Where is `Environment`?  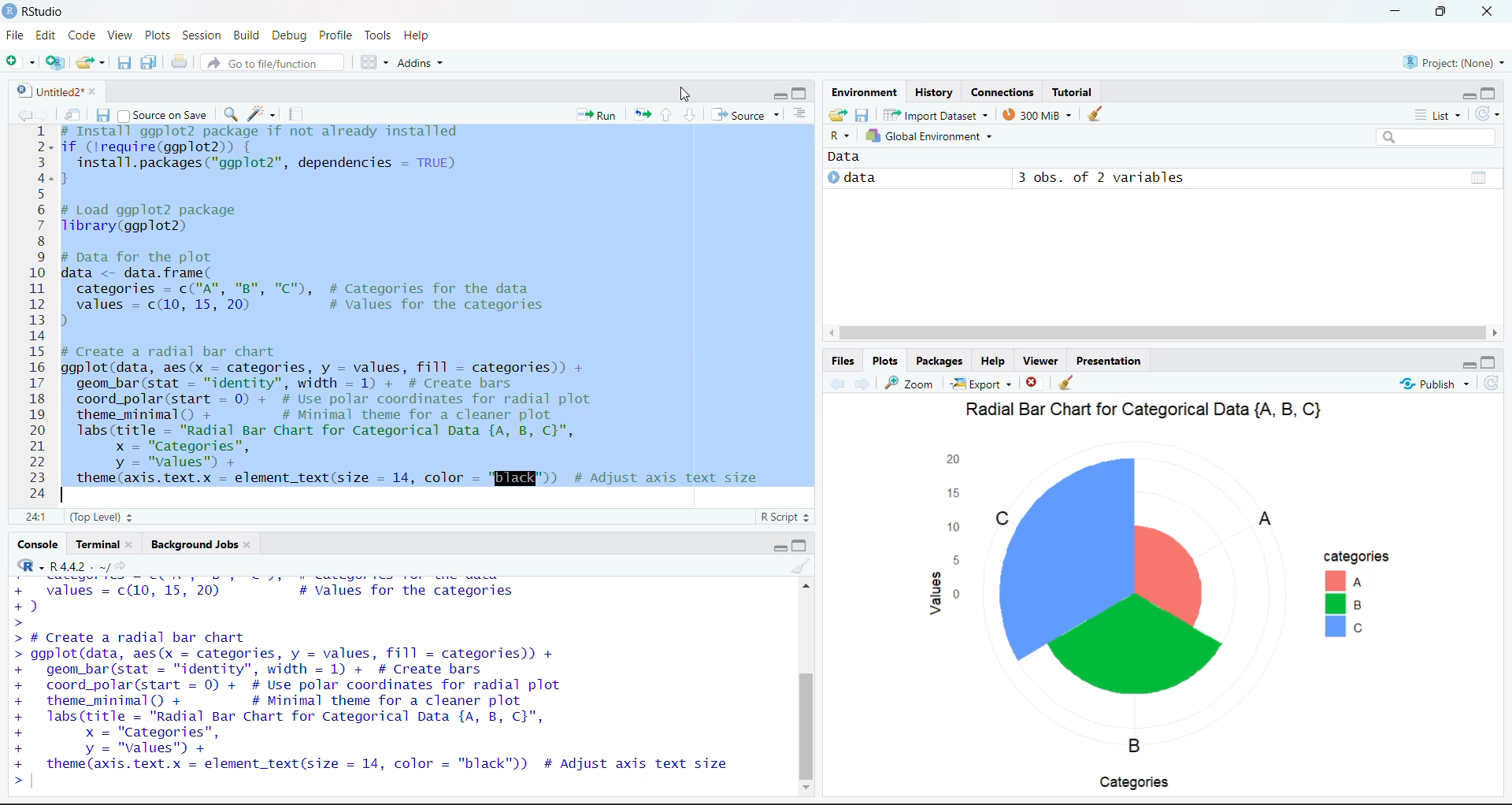
Environment is located at coordinates (862, 94).